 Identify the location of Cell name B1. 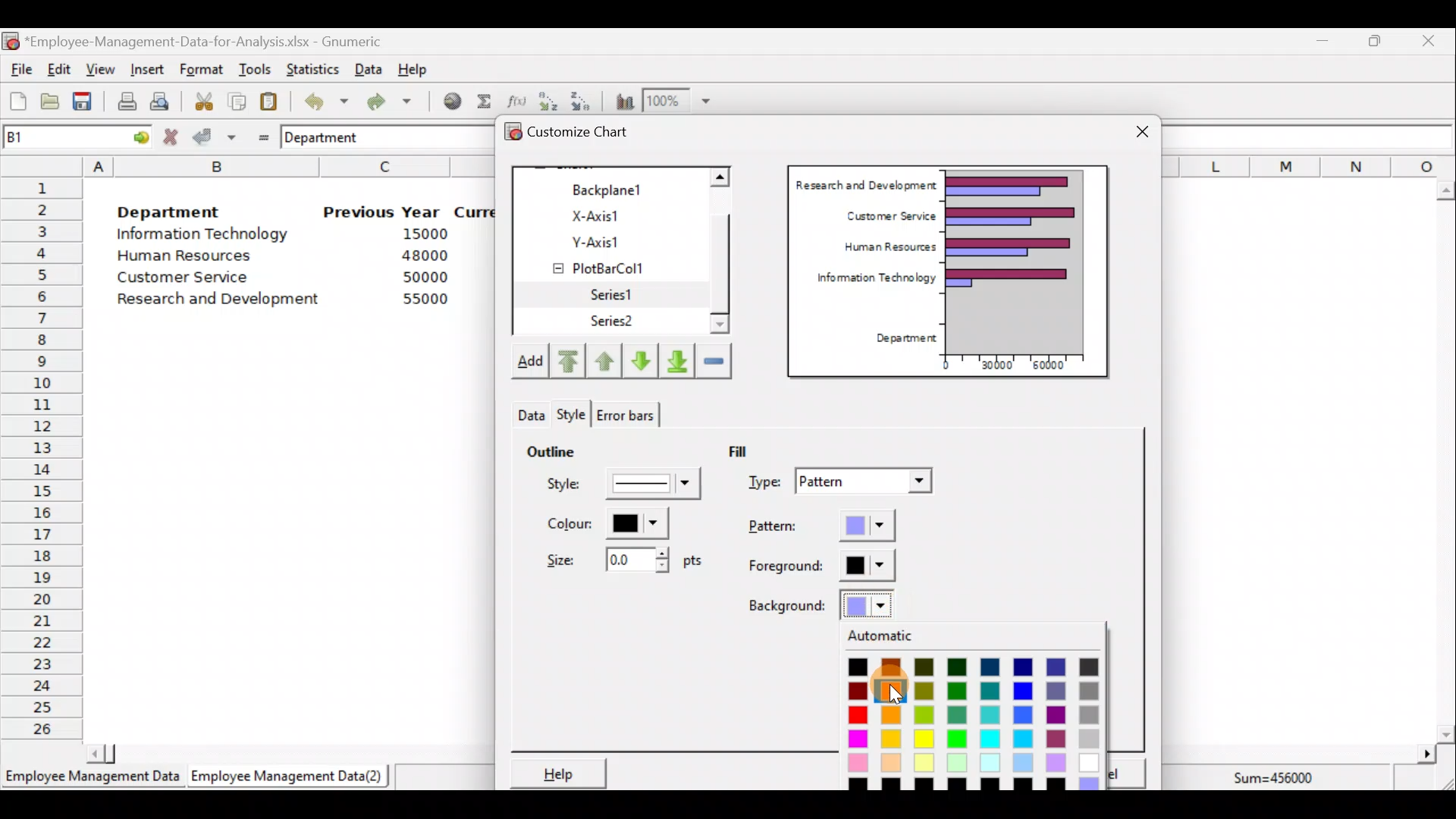
(50, 136).